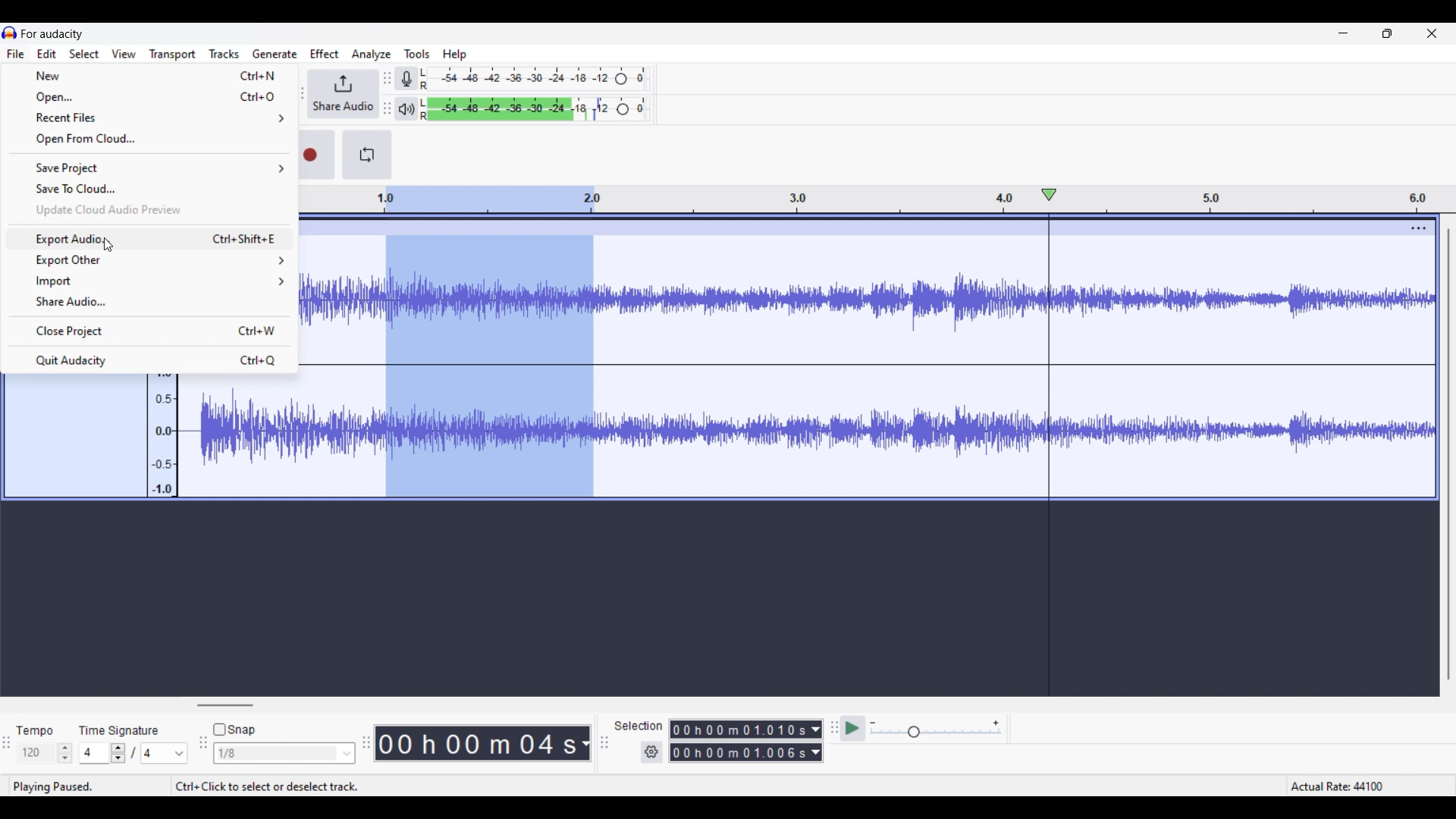 The width and height of the screenshot is (1456, 819). What do you see at coordinates (84, 54) in the screenshot?
I see `Select menu` at bounding box center [84, 54].